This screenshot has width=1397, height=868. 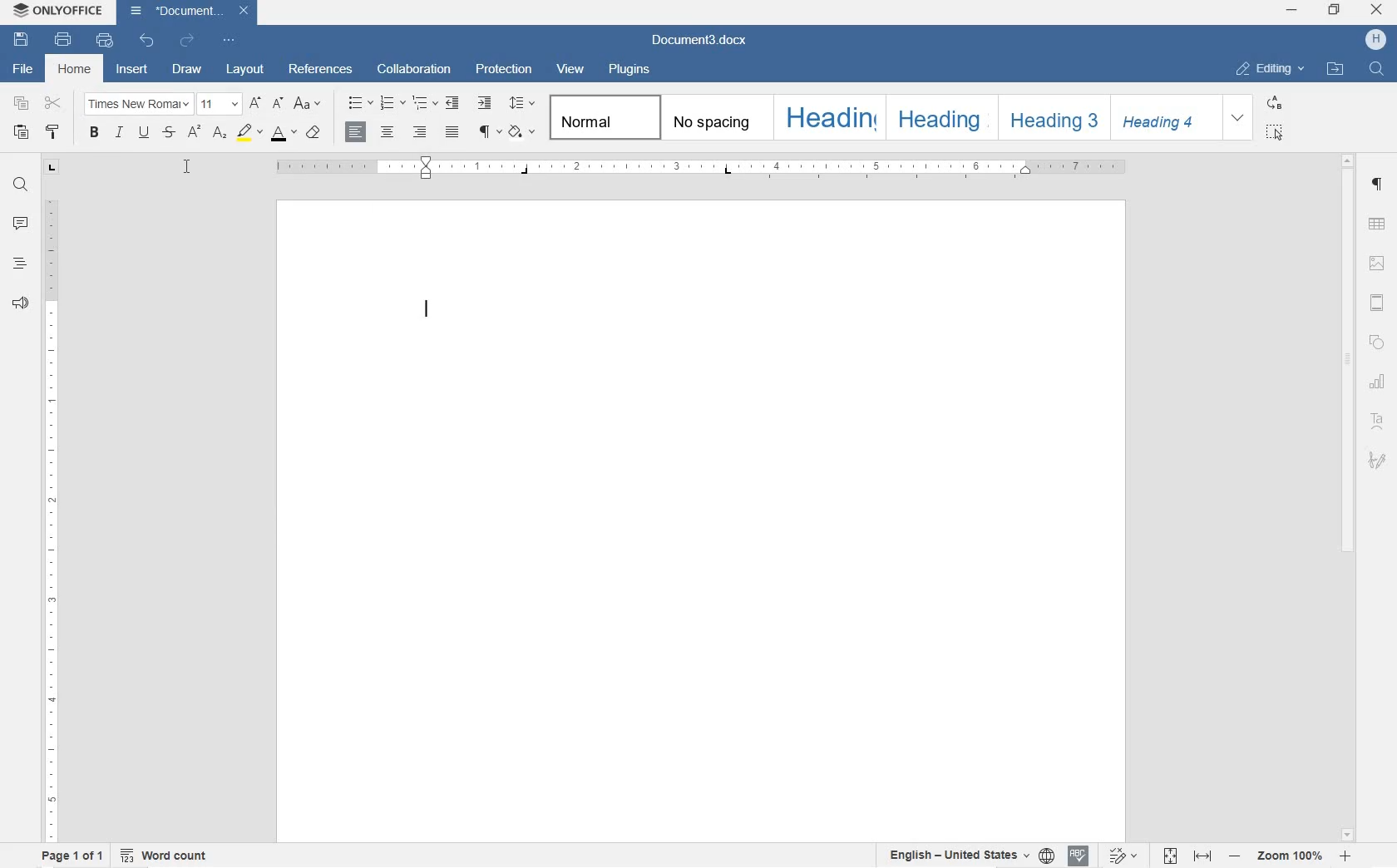 What do you see at coordinates (1379, 382) in the screenshot?
I see `CHART` at bounding box center [1379, 382].